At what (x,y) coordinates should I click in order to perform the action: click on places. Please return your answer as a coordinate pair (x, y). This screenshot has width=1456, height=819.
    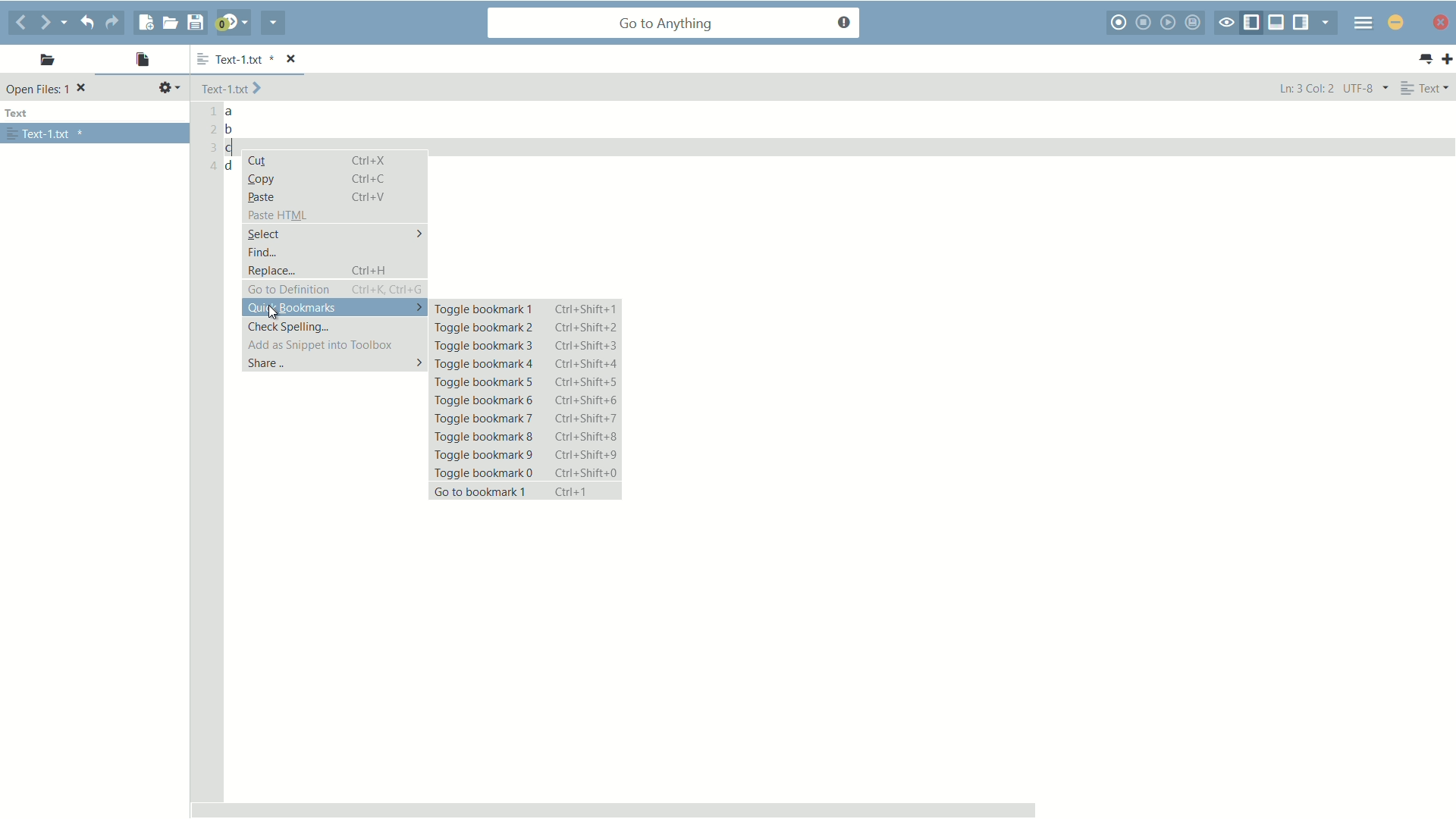
    Looking at the image, I should click on (43, 62).